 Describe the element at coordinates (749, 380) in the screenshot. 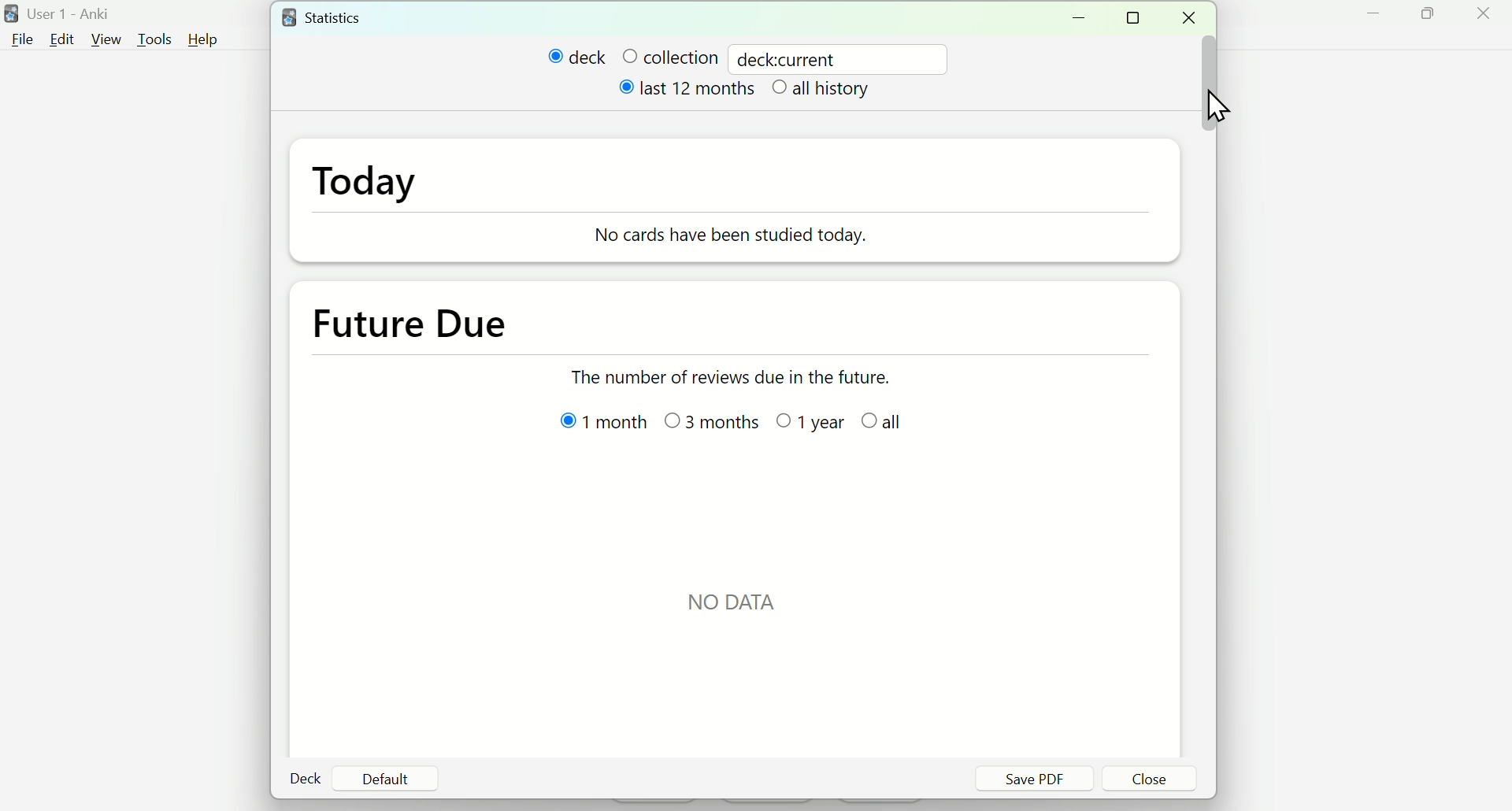

I see `The numbers of reviews due in the future` at that location.